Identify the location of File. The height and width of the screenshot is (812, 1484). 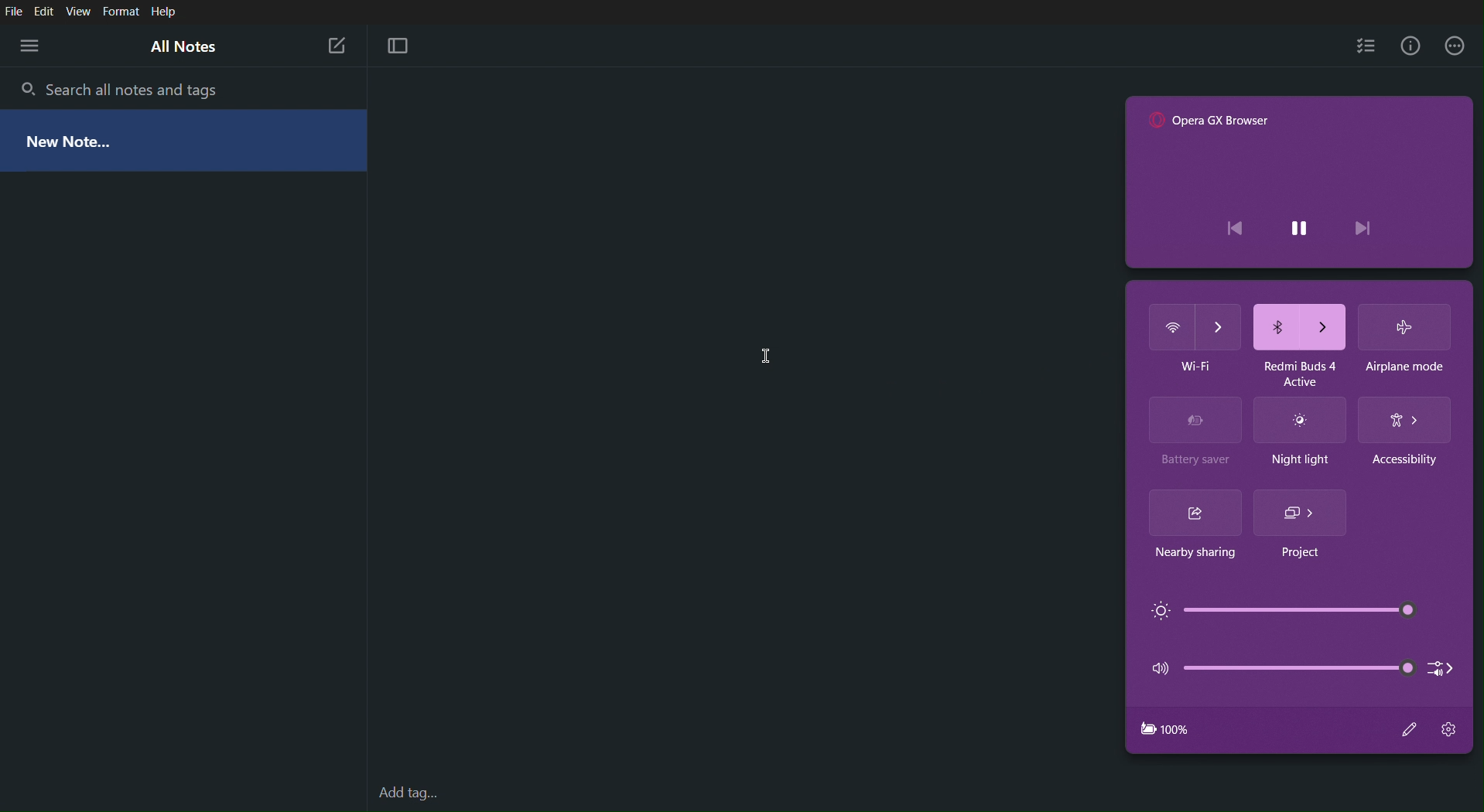
(15, 12).